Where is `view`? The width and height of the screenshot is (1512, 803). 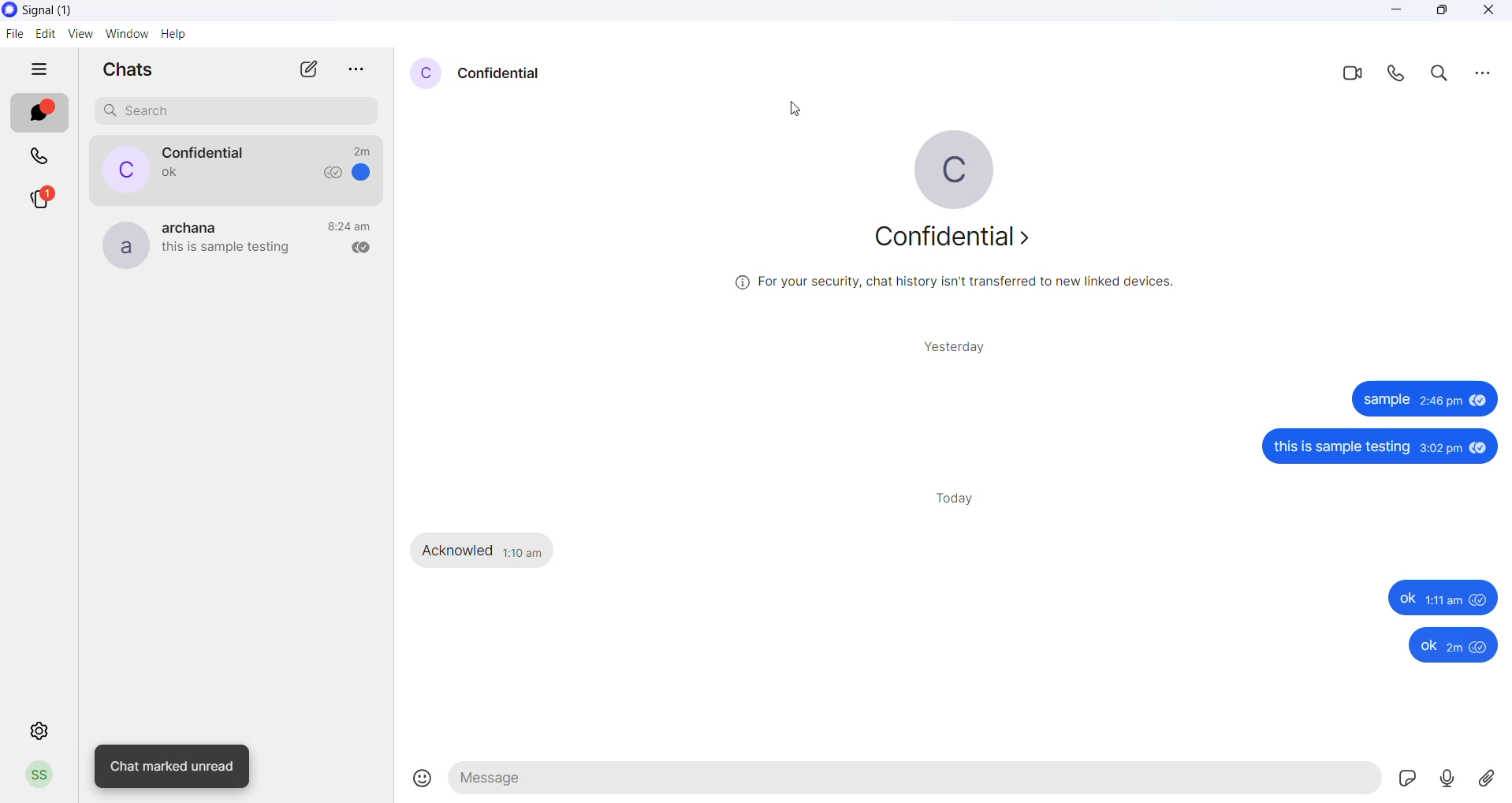 view is located at coordinates (80, 33).